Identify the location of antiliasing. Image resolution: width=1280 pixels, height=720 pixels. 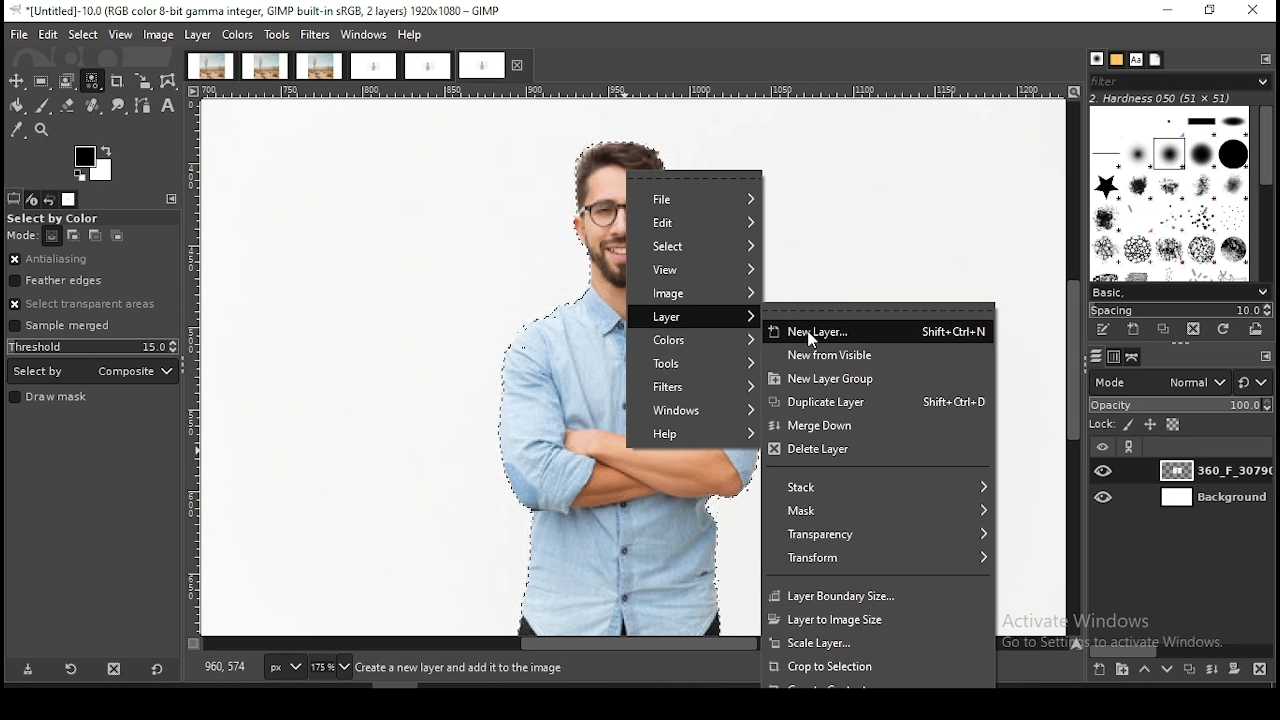
(92, 260).